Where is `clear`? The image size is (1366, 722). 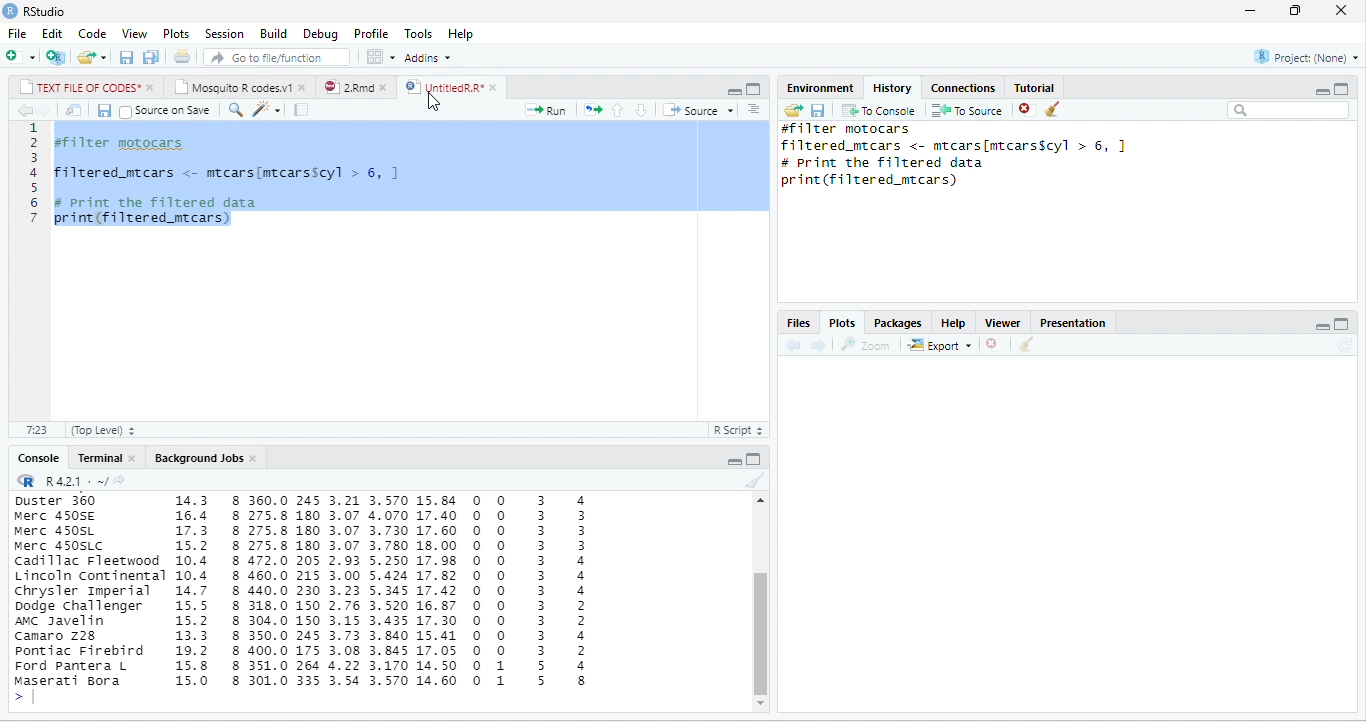 clear is located at coordinates (1053, 108).